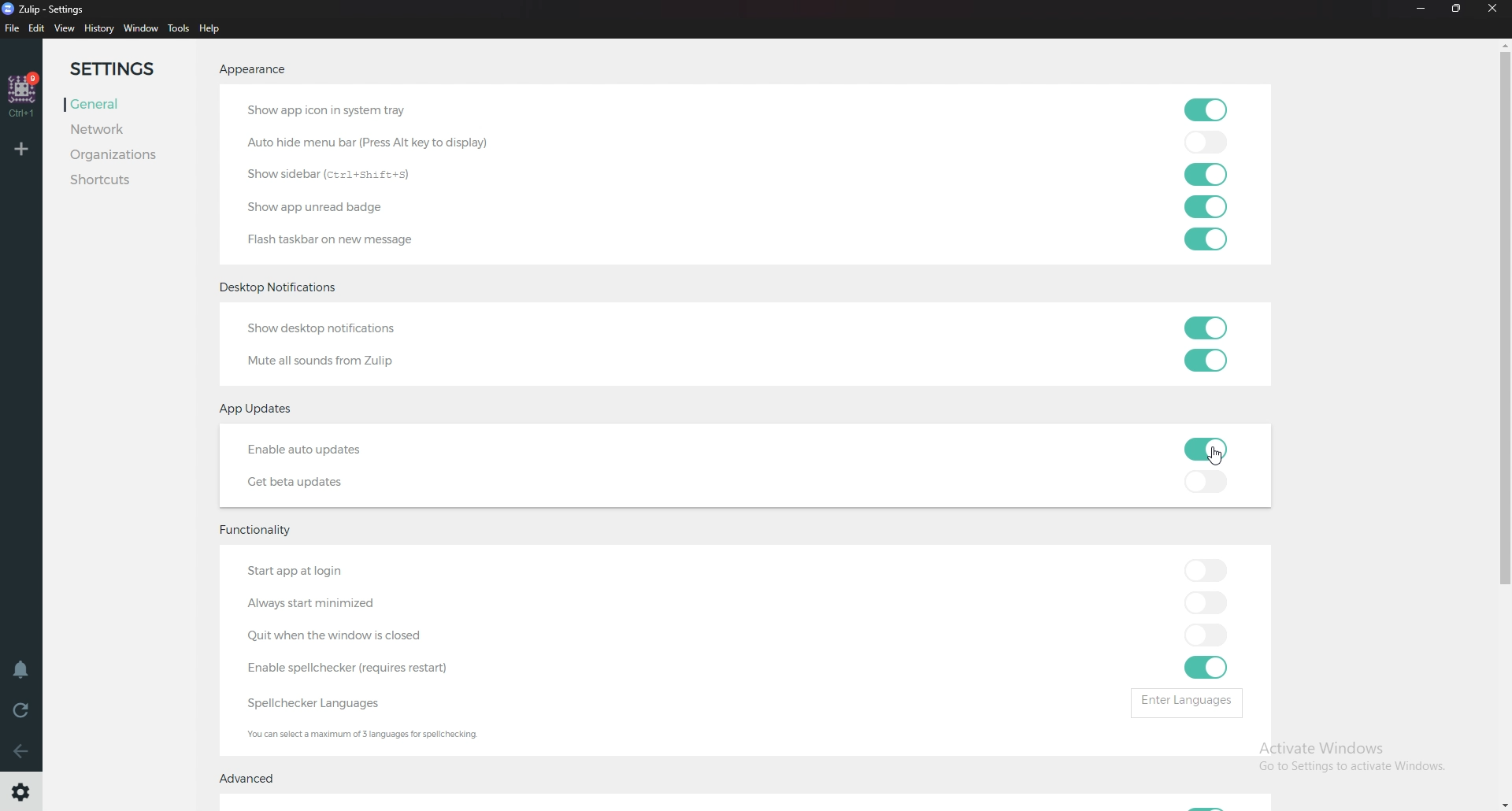 The width and height of the screenshot is (1512, 811). What do you see at coordinates (1458, 9) in the screenshot?
I see `Resize` at bounding box center [1458, 9].